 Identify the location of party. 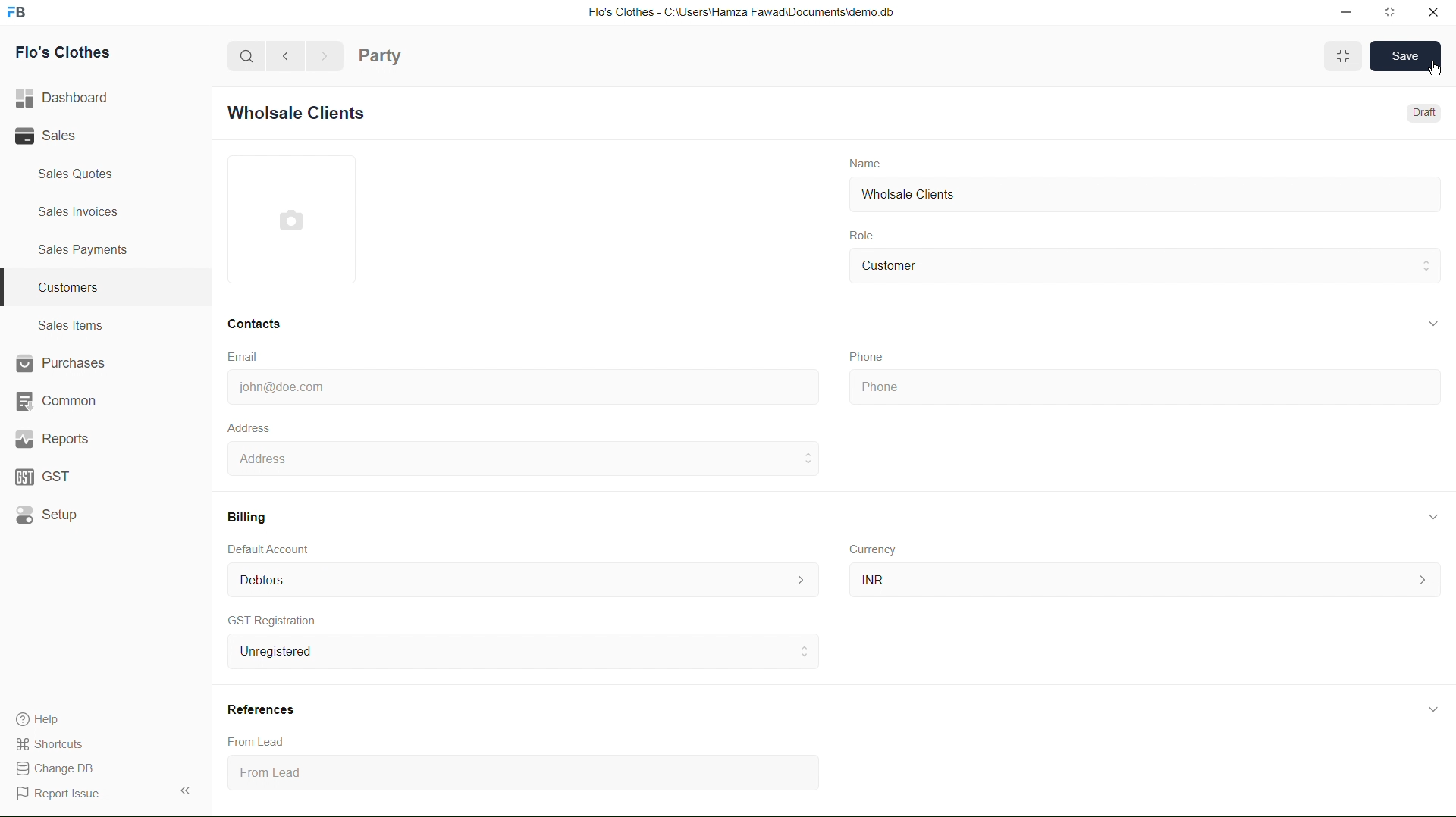
(382, 52).